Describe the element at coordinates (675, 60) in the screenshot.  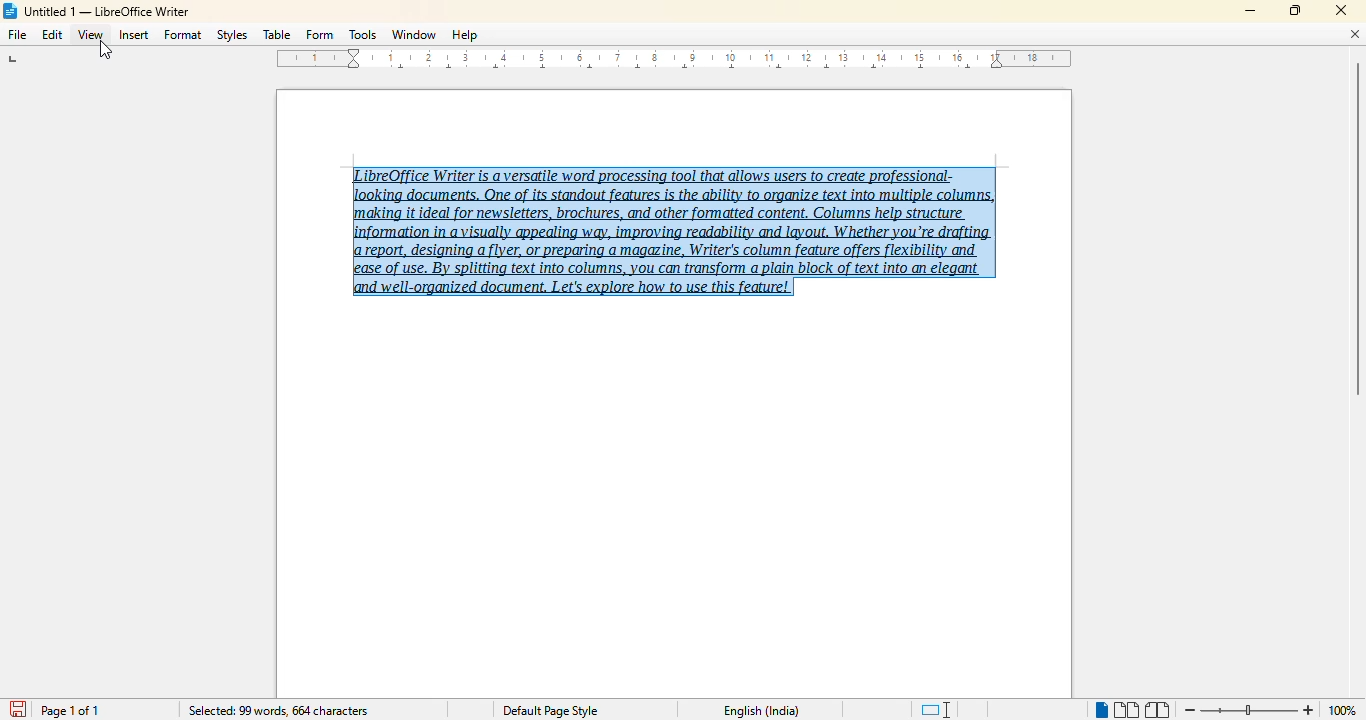
I see `ruler` at that location.